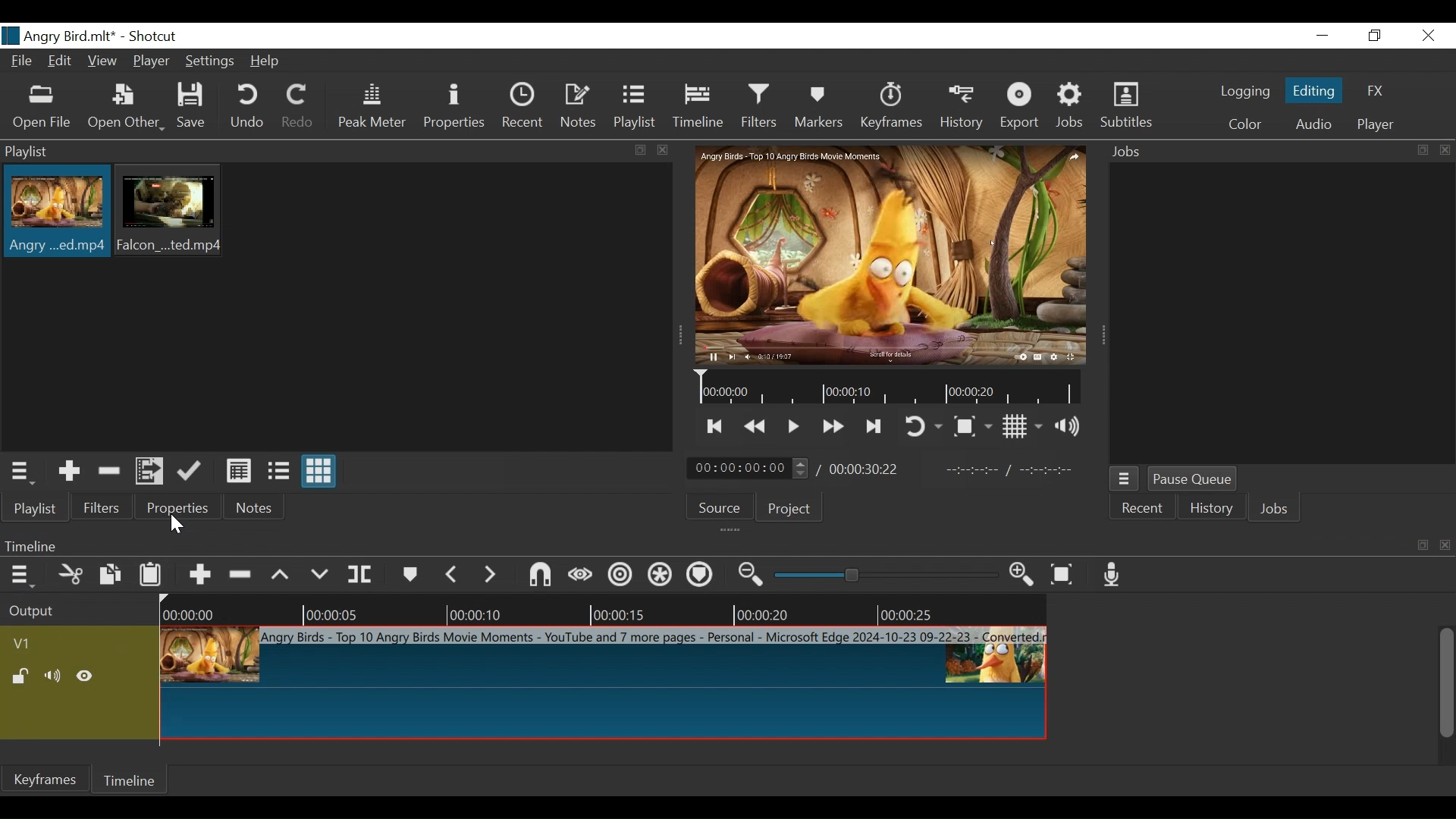 This screenshot has height=819, width=1456. I want to click on Current duration, so click(750, 467).